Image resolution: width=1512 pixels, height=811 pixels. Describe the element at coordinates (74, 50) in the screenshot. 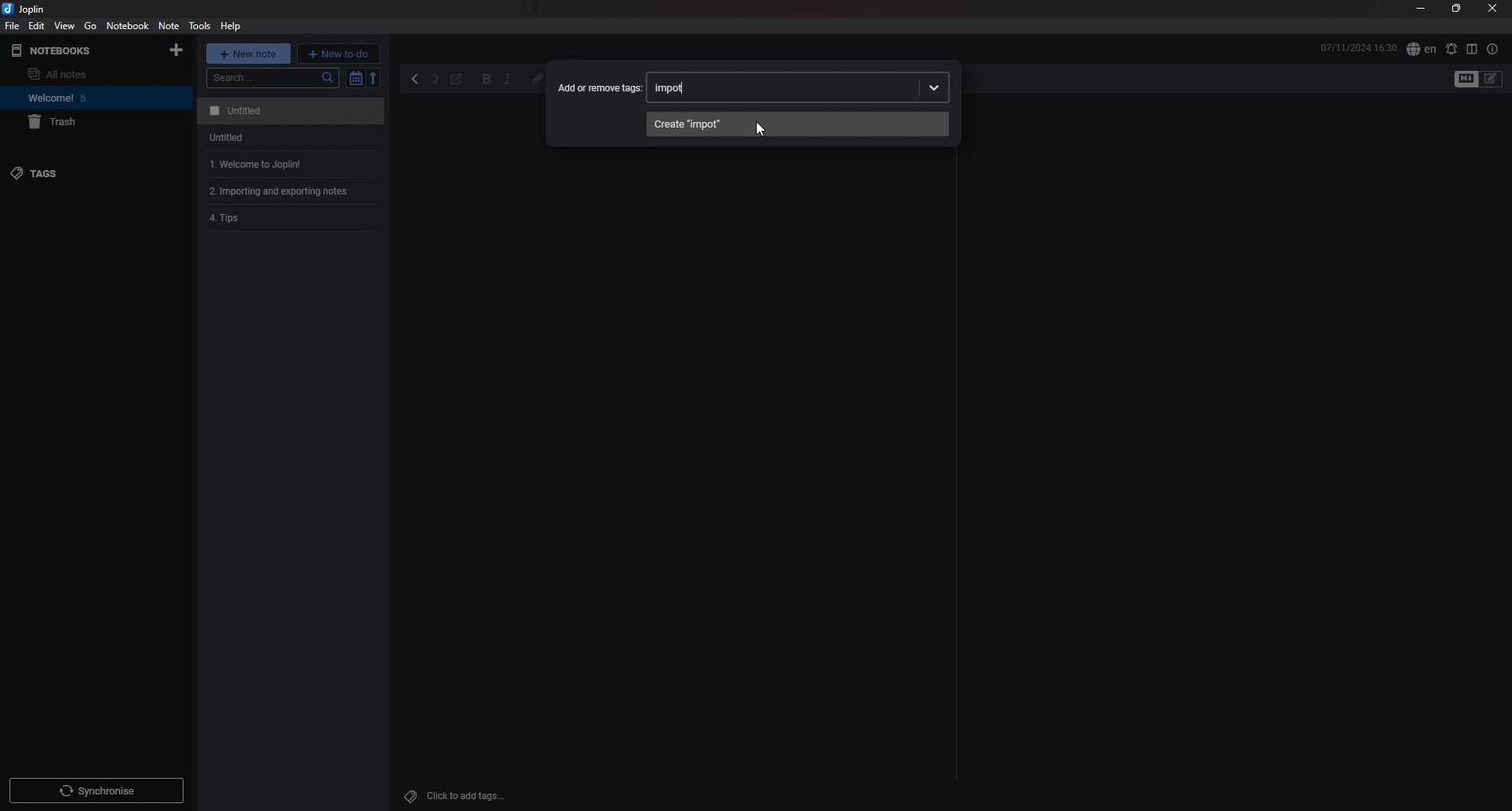

I see `notebooks` at that location.